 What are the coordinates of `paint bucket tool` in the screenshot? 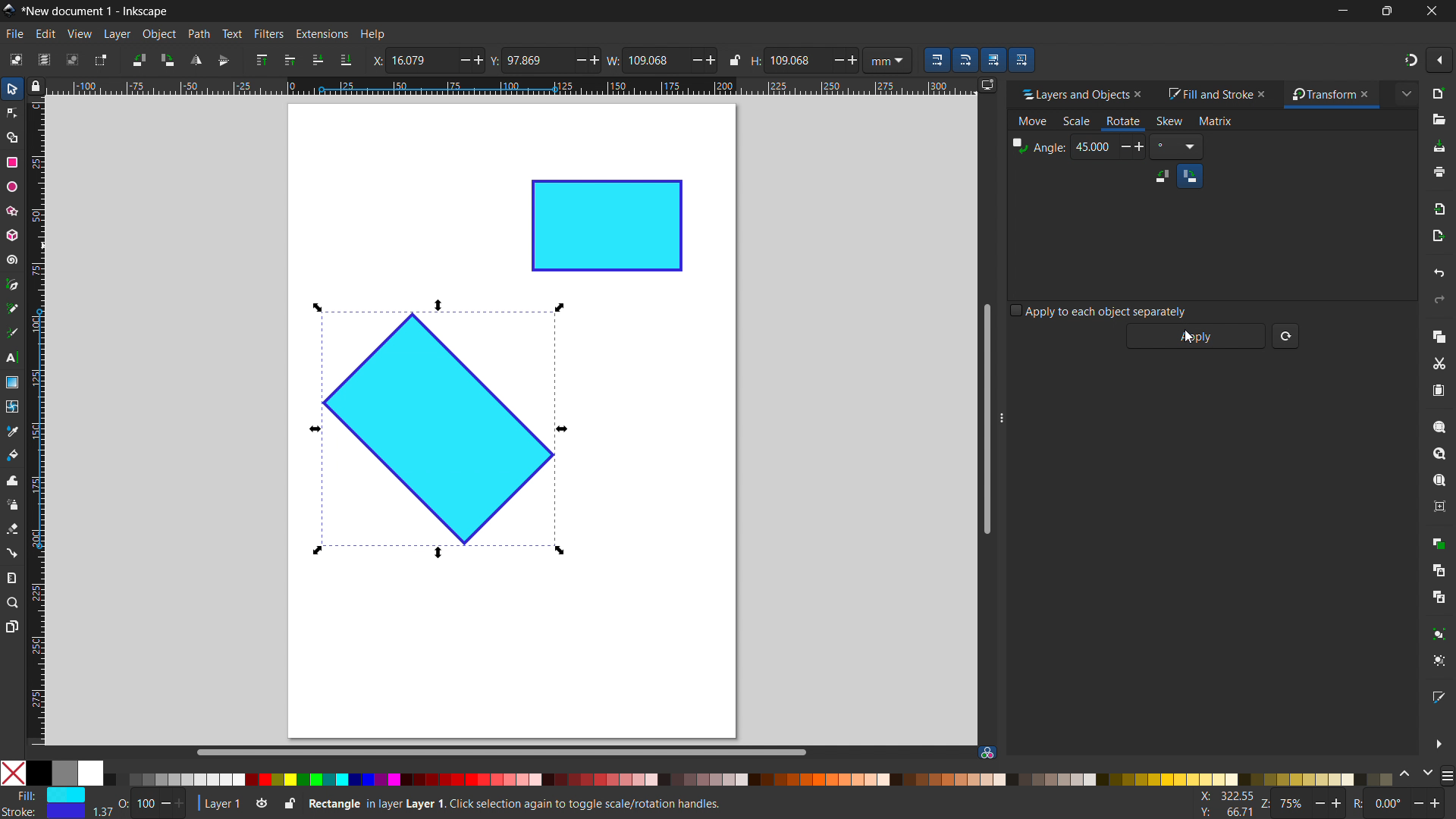 It's located at (14, 454).